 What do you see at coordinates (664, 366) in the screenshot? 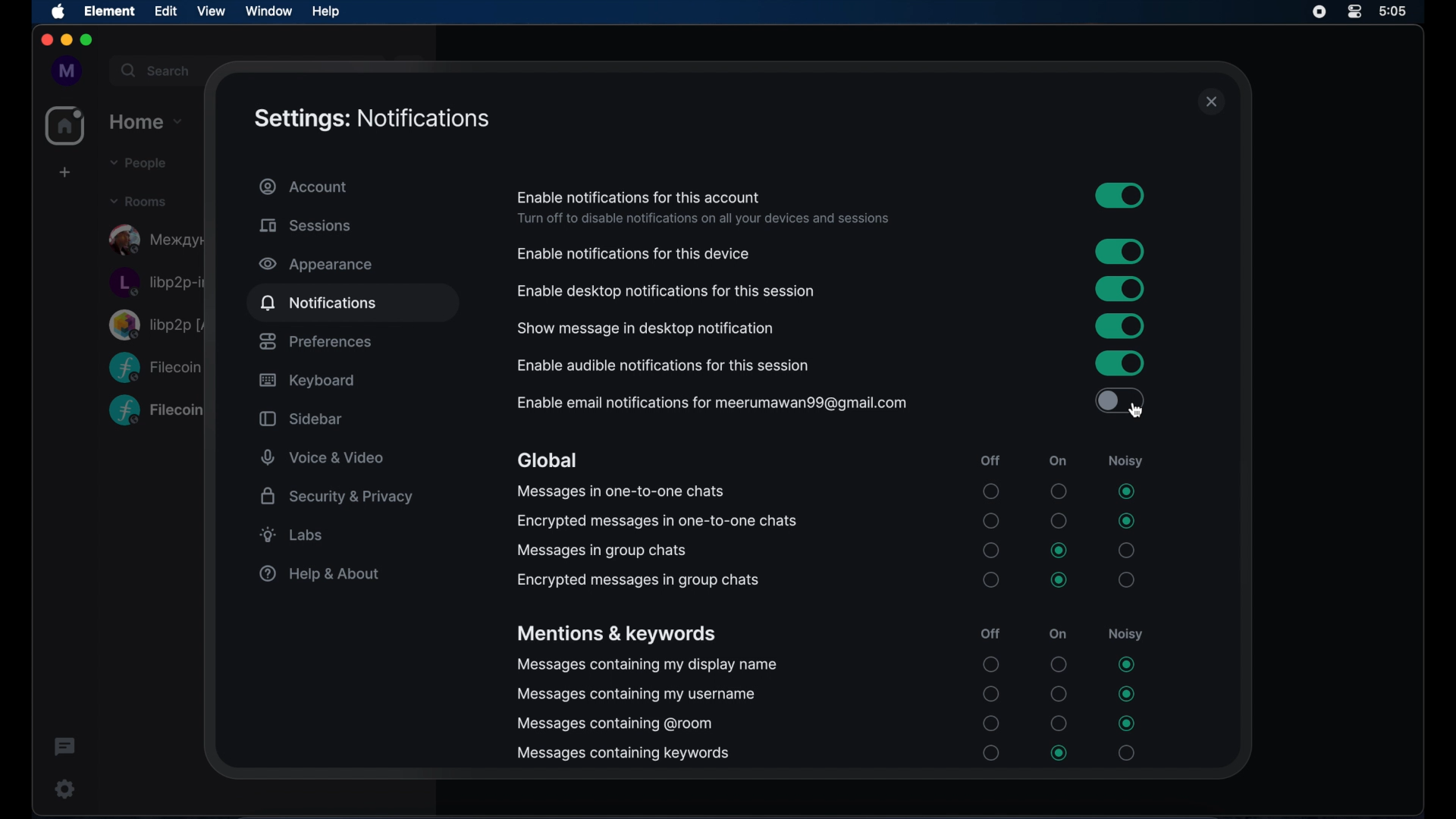
I see `enable audible notifications for this session` at bounding box center [664, 366].